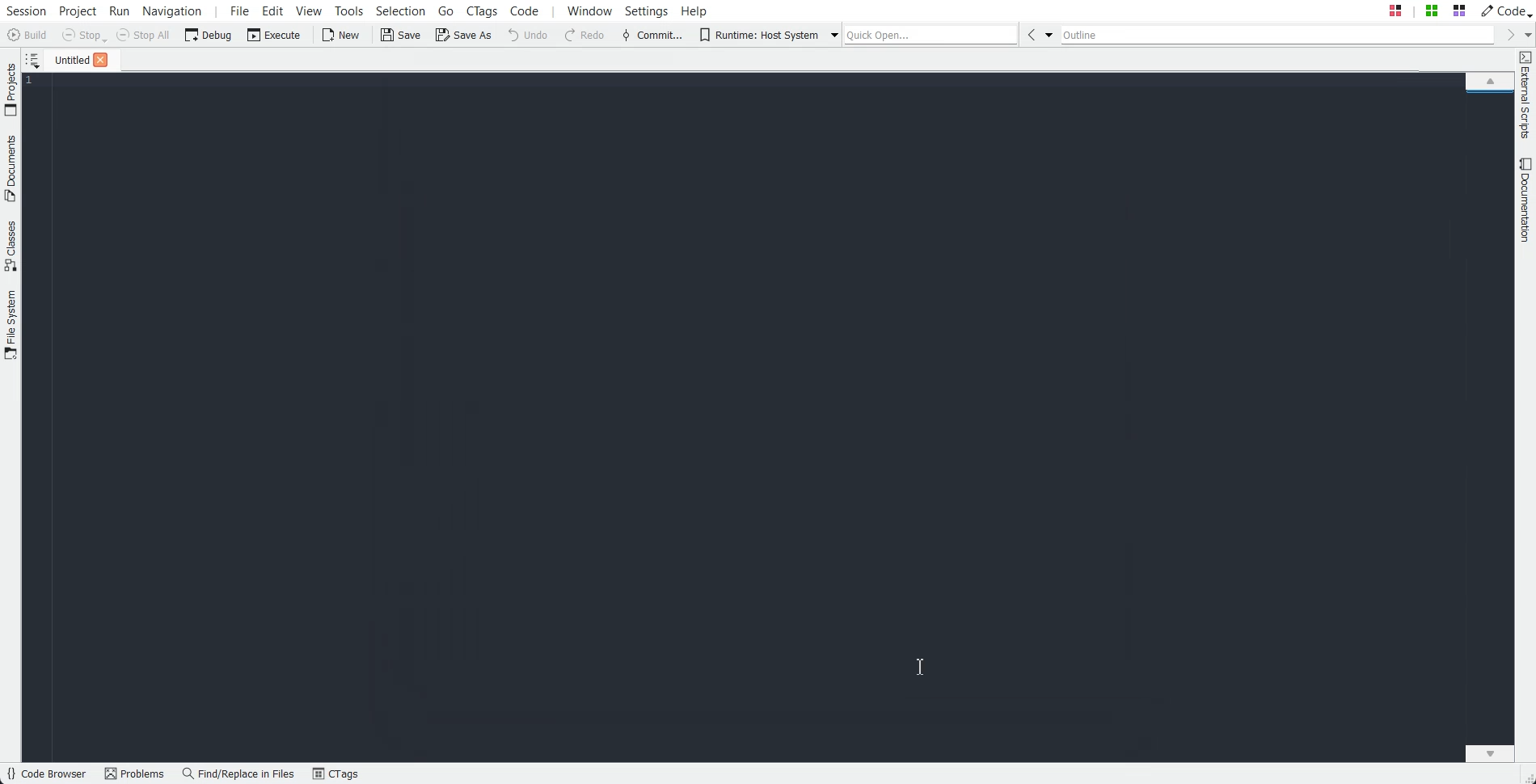 This screenshot has height=784, width=1536. Describe the element at coordinates (1526, 34) in the screenshot. I see `Drop down box` at that location.